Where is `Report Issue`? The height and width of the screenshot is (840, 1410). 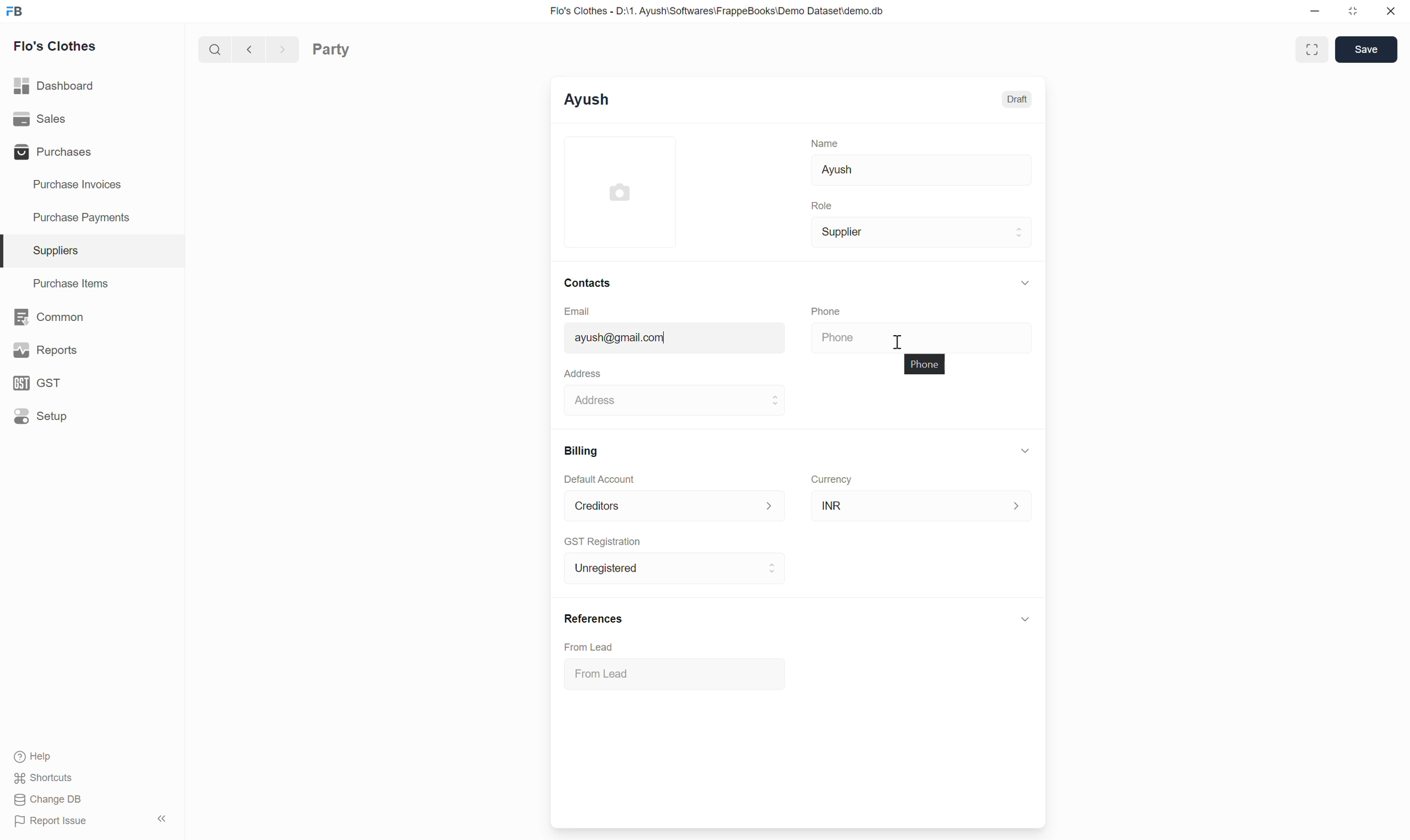 Report Issue is located at coordinates (53, 821).